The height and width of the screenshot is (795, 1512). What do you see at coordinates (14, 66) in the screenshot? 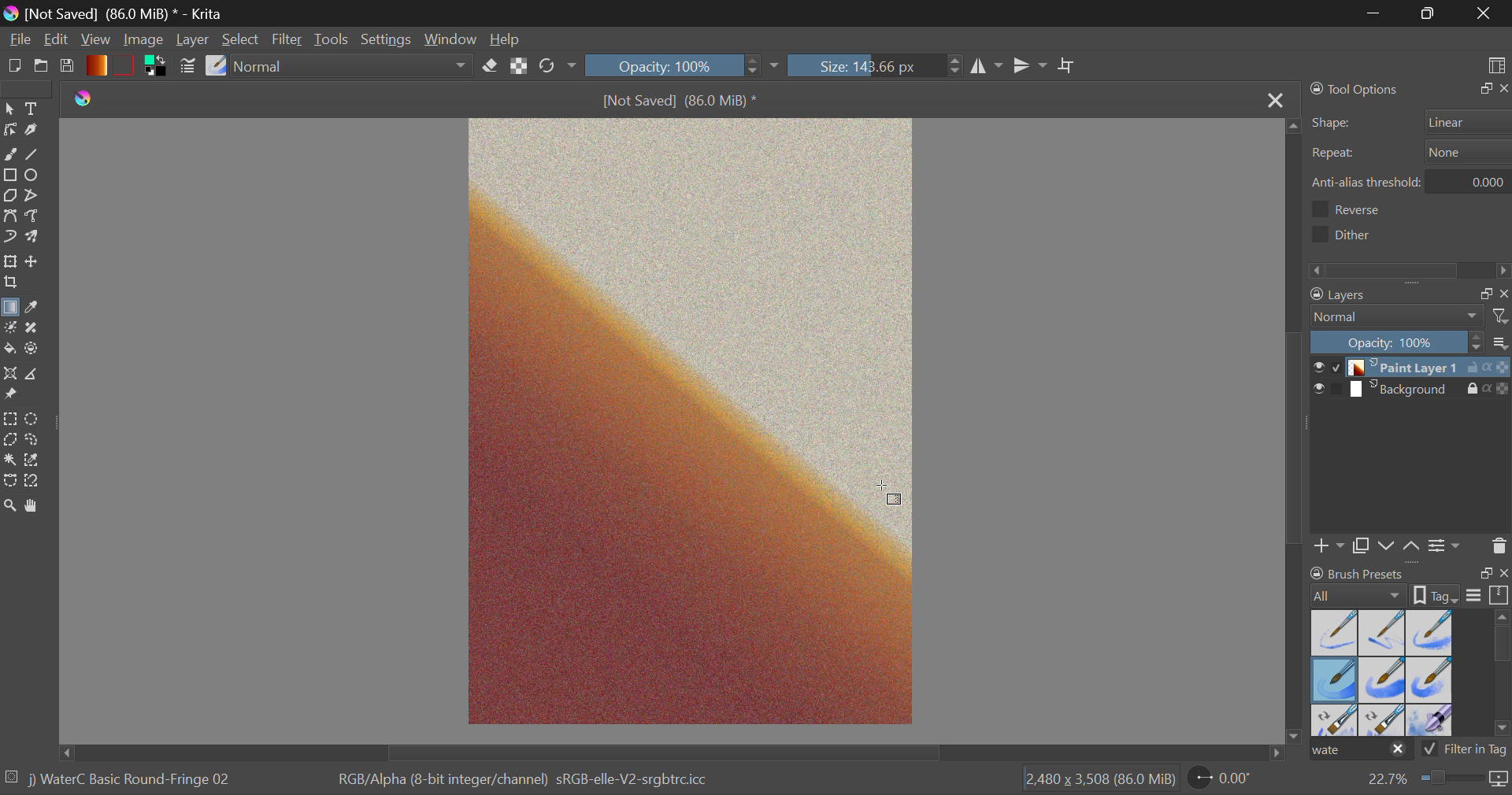
I see `New` at bounding box center [14, 66].